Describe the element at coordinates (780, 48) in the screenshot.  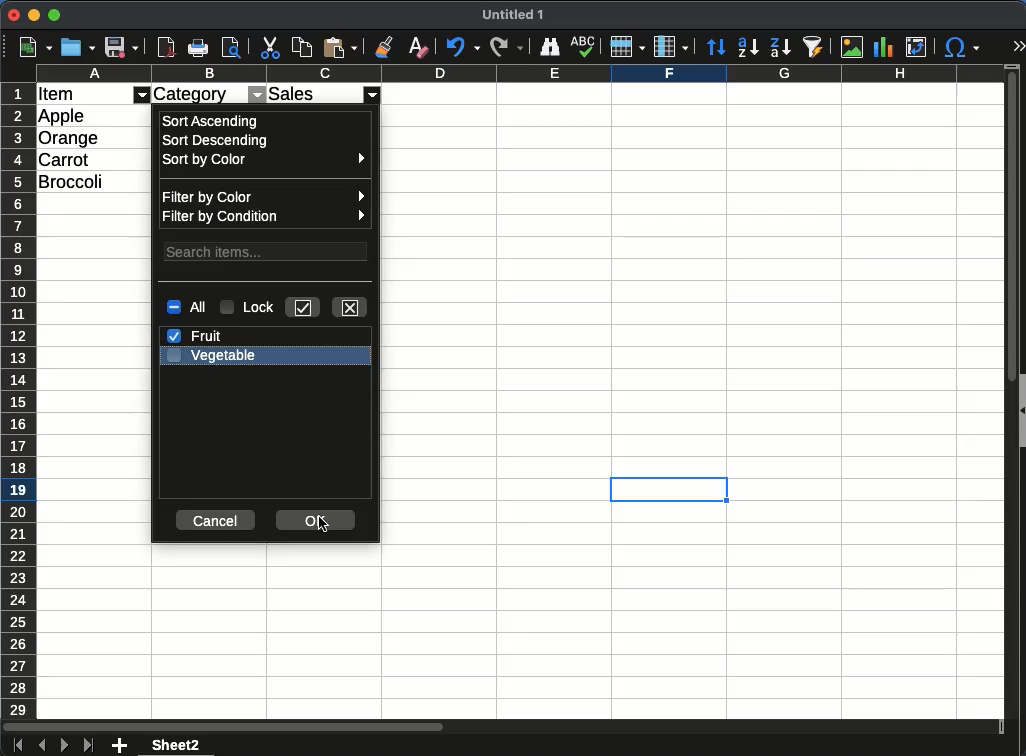
I see `descending` at that location.